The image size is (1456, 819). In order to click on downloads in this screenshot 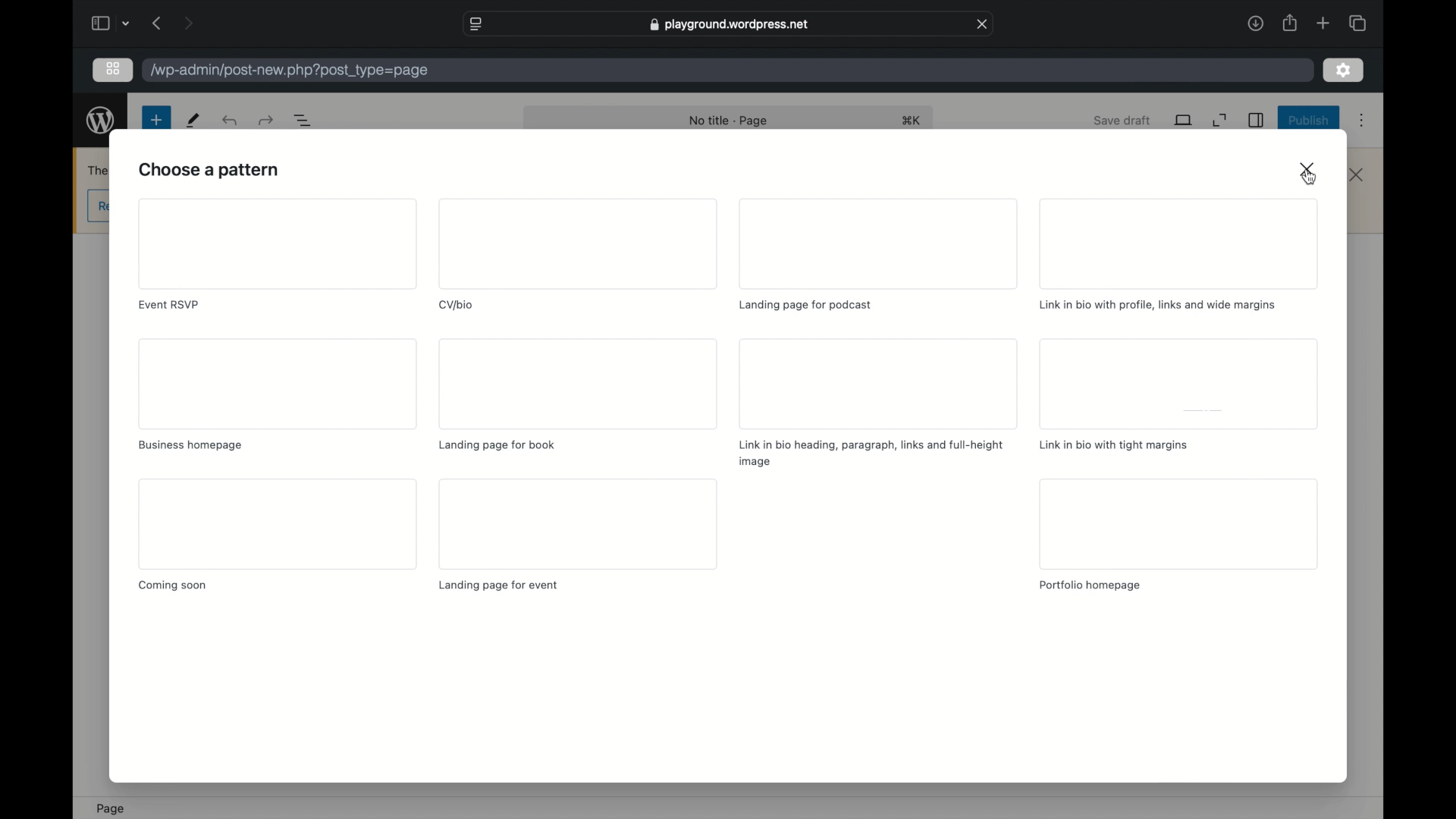, I will do `click(1256, 23)`.